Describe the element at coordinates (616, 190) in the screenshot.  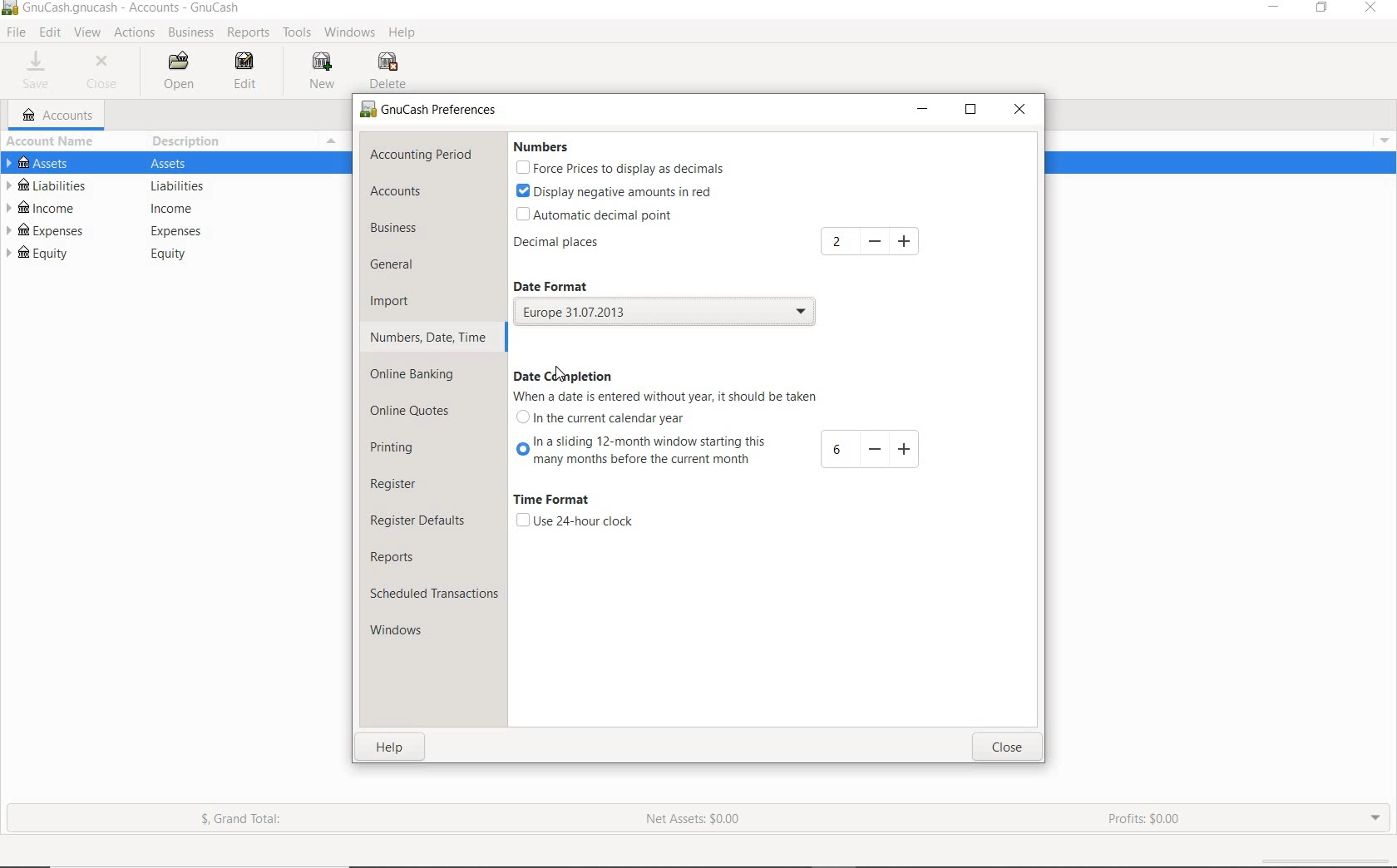
I see `display negative amounts in red` at that location.